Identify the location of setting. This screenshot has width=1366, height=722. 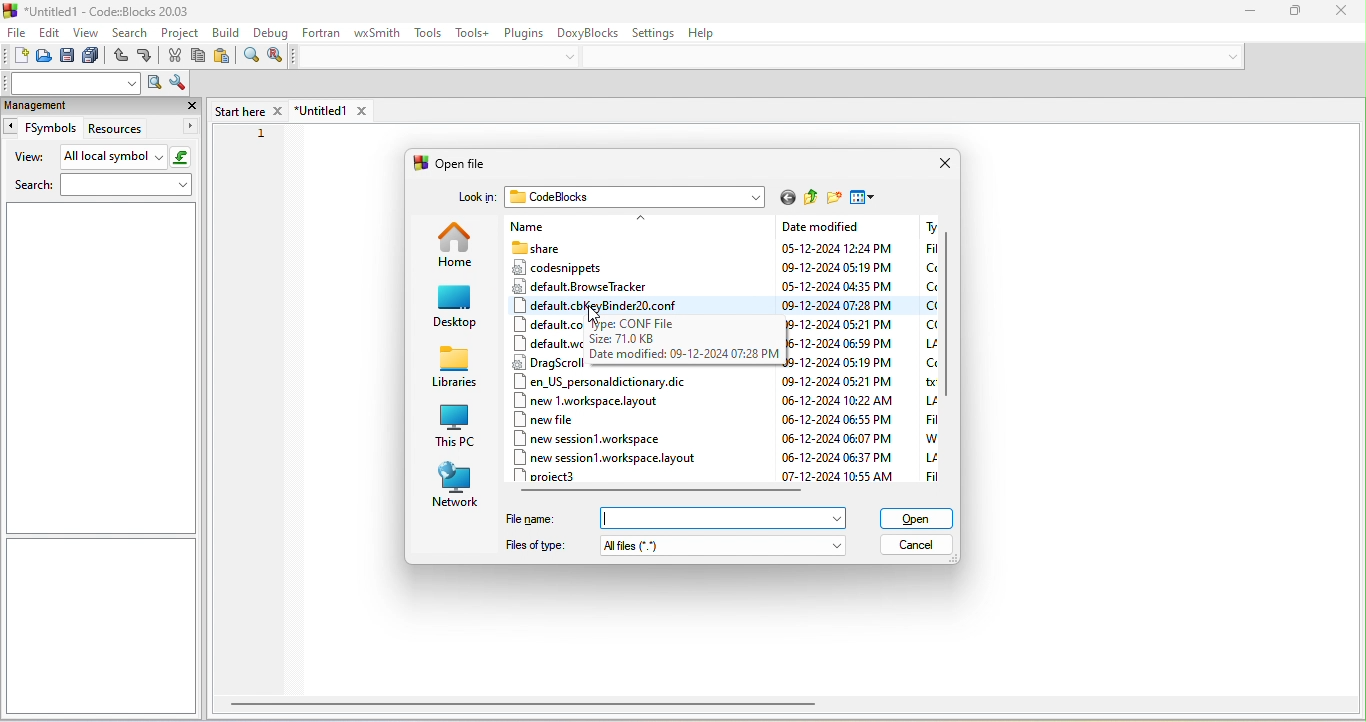
(657, 34).